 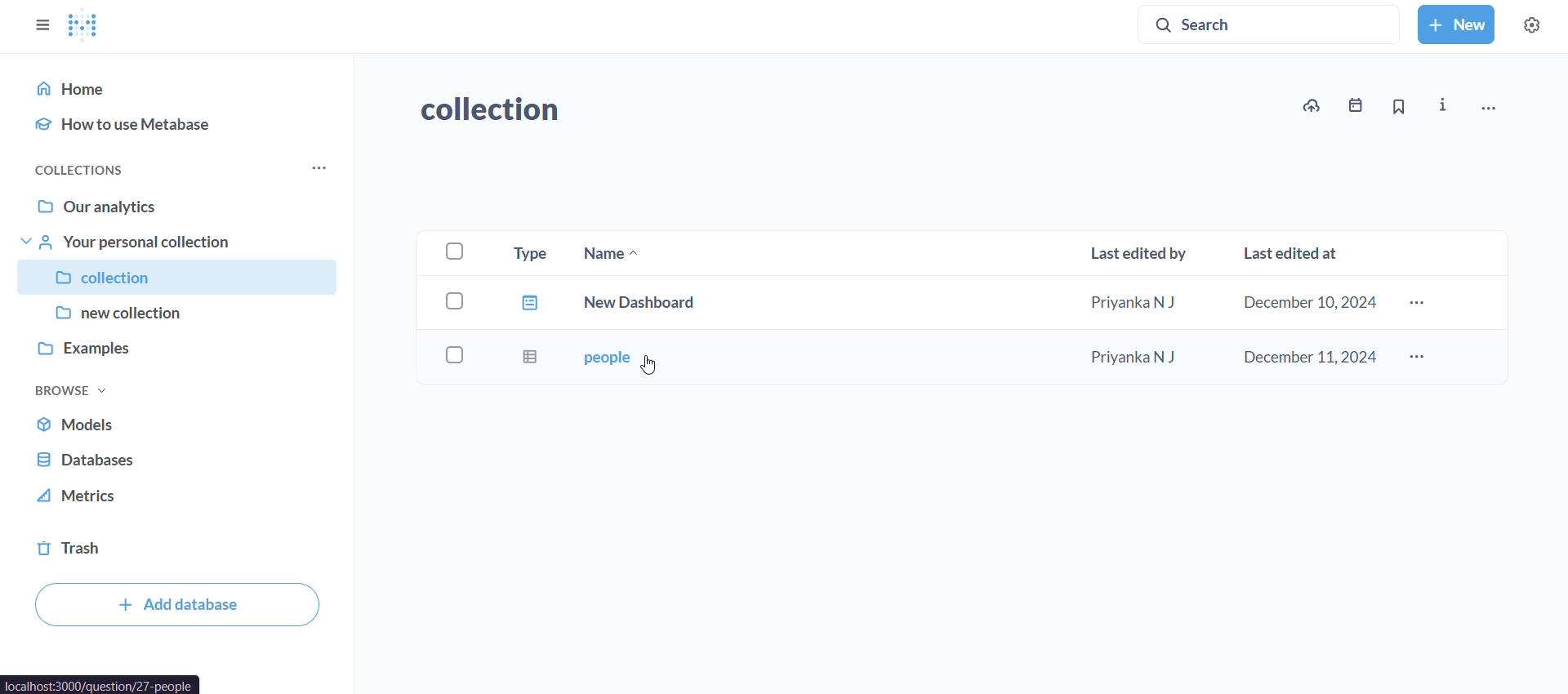 I want to click on december 11,2024, so click(x=1315, y=357).